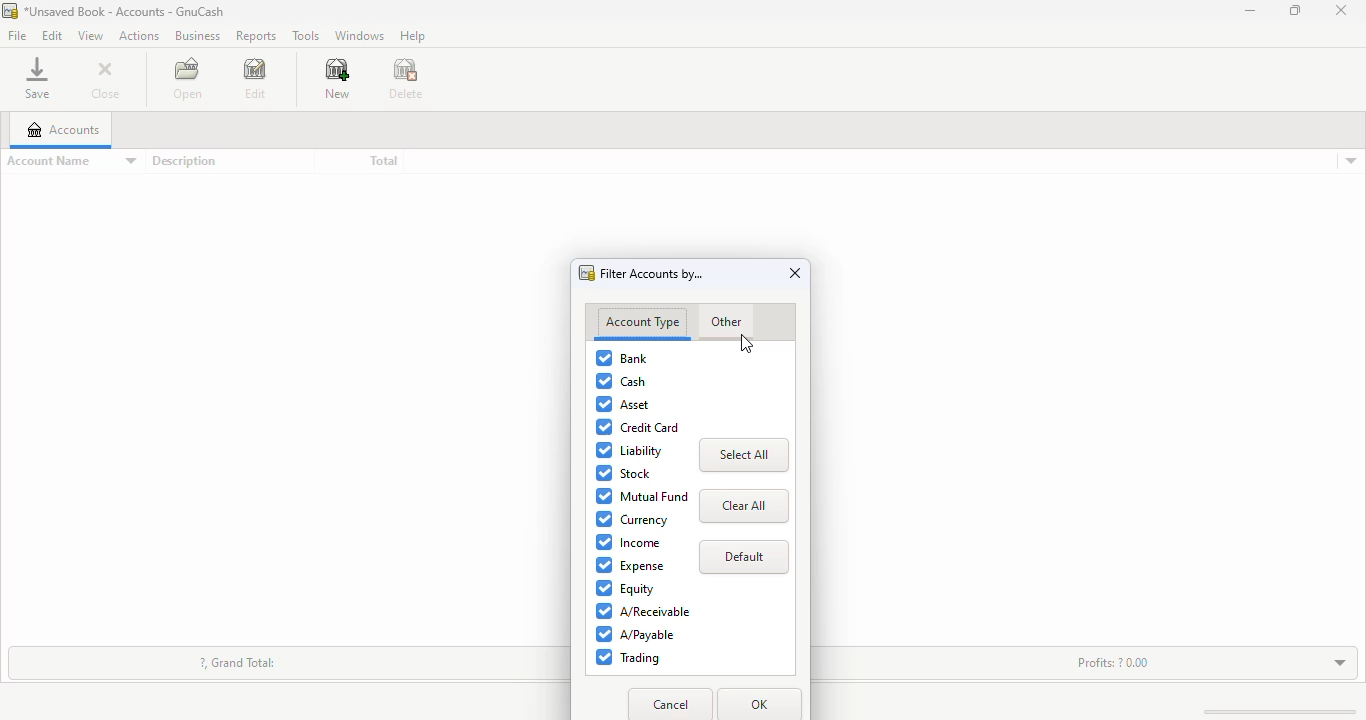 The width and height of the screenshot is (1366, 720). Describe the element at coordinates (9, 11) in the screenshot. I see `logo` at that location.